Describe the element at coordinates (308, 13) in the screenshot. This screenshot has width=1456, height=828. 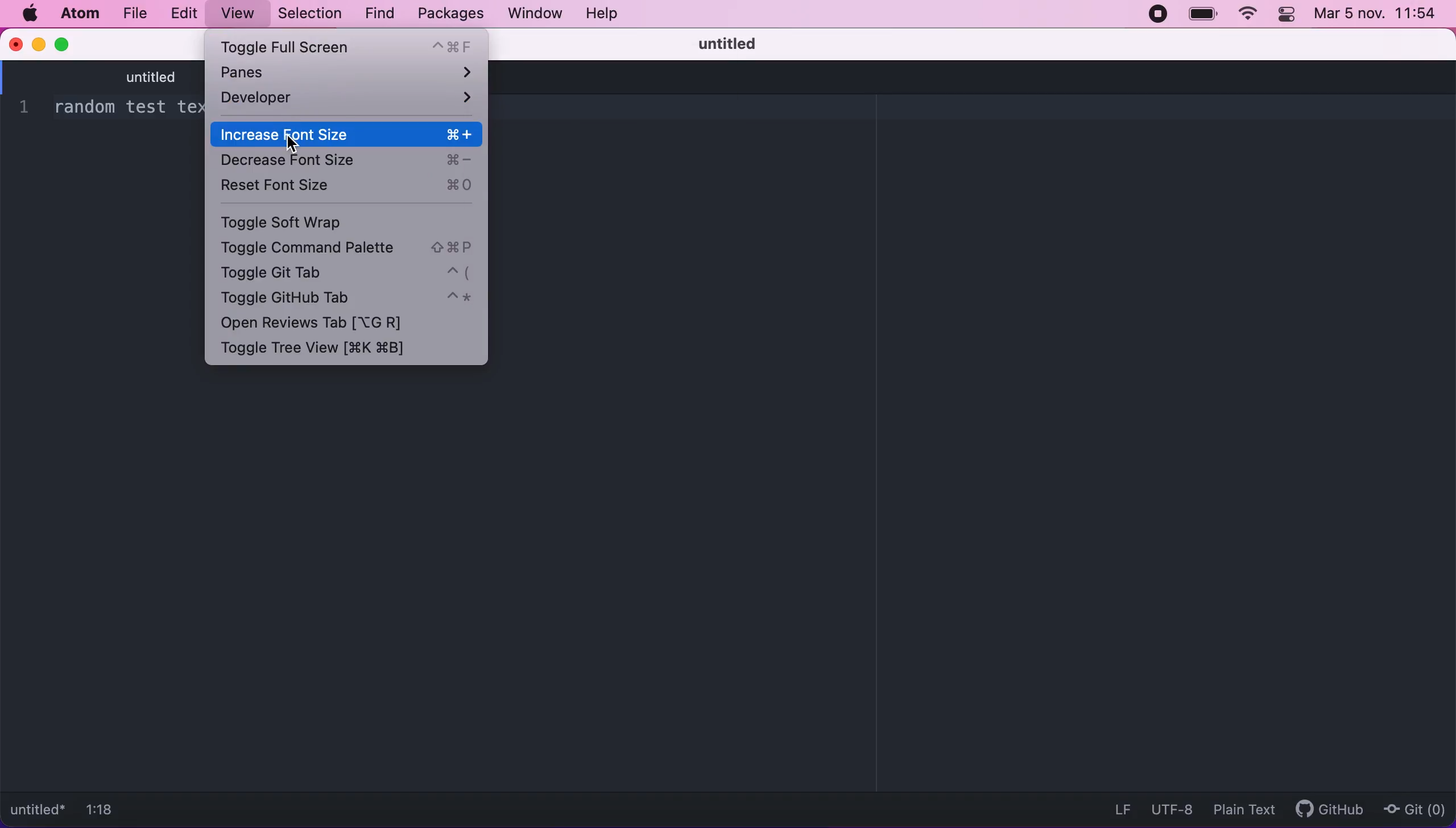
I see `selection` at that location.